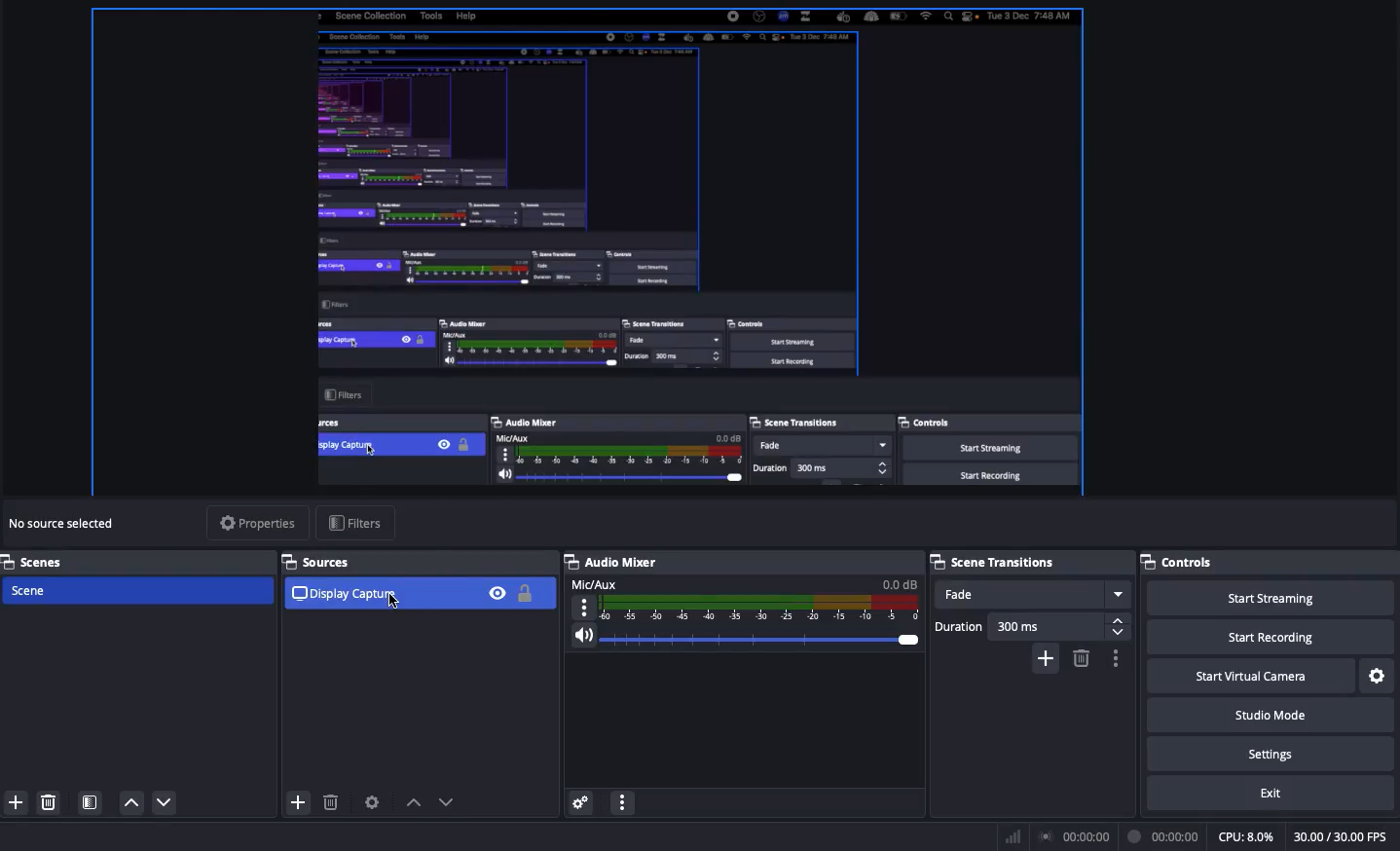 Image resolution: width=1400 pixels, height=851 pixels. What do you see at coordinates (48, 801) in the screenshot?
I see `Delete` at bounding box center [48, 801].